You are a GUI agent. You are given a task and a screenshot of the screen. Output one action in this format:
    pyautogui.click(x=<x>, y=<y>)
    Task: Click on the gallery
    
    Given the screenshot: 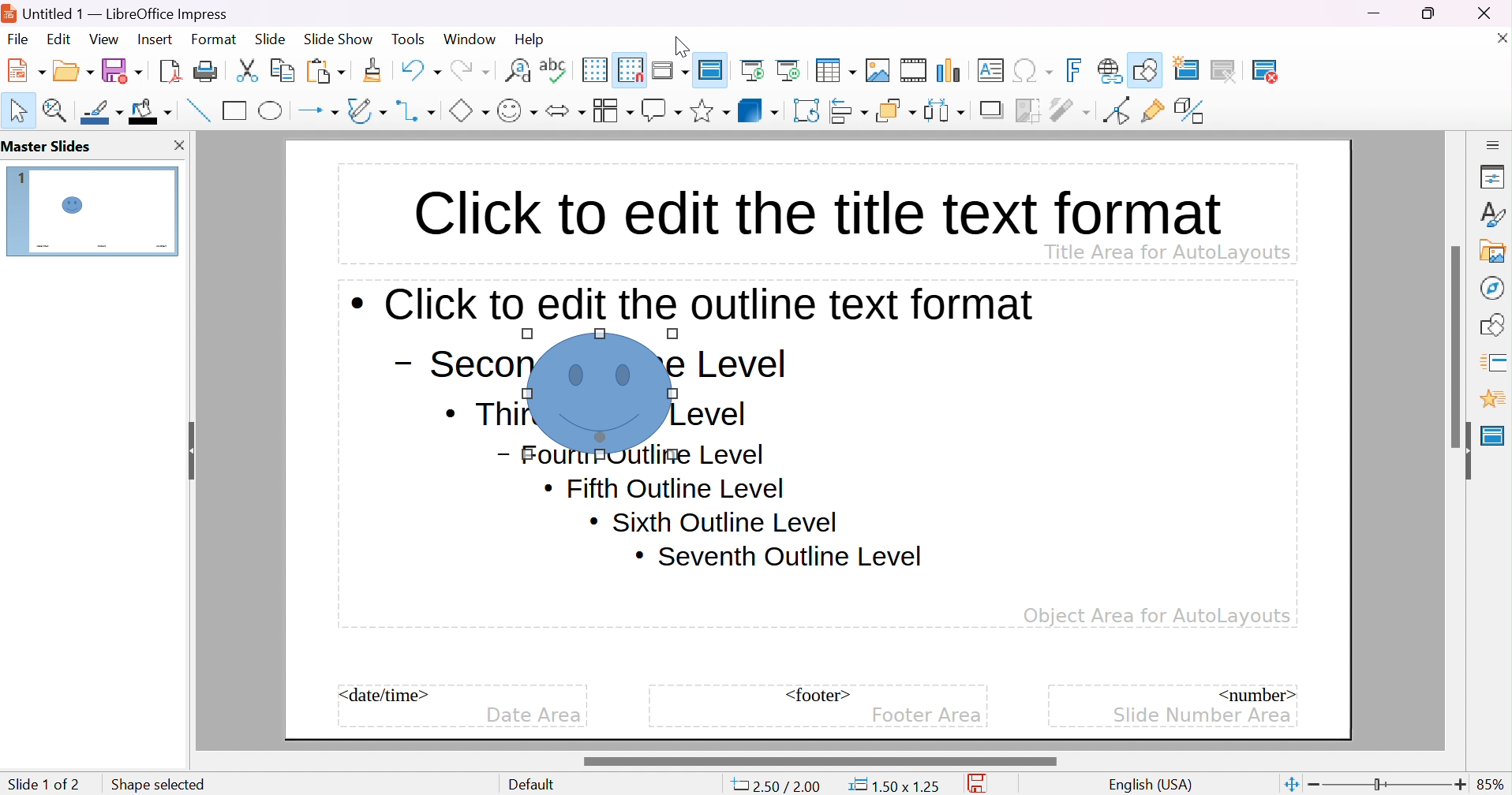 What is the action you would take?
    pyautogui.click(x=1496, y=251)
    